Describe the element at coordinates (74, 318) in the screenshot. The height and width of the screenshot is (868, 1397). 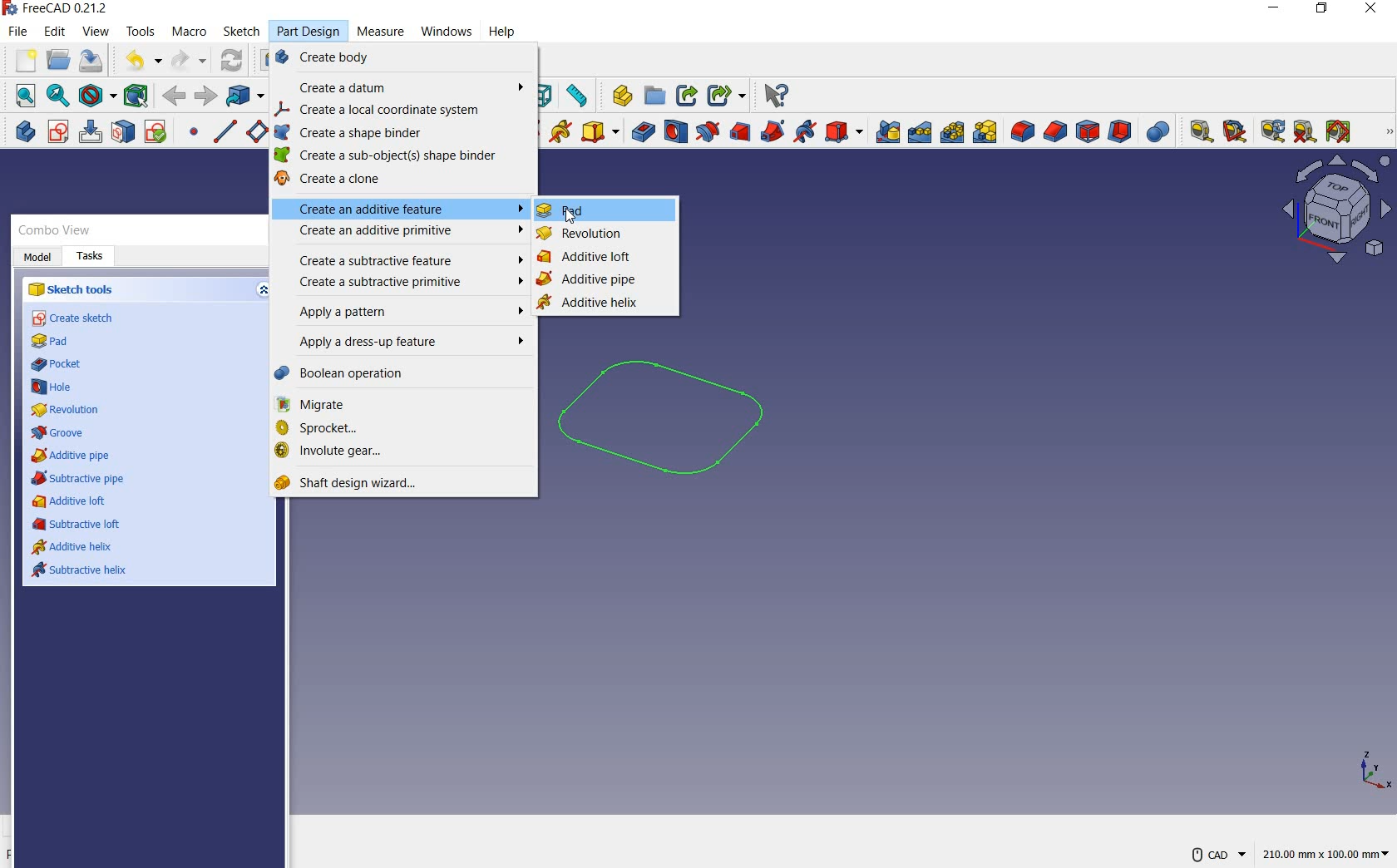
I see `create sketch` at that location.